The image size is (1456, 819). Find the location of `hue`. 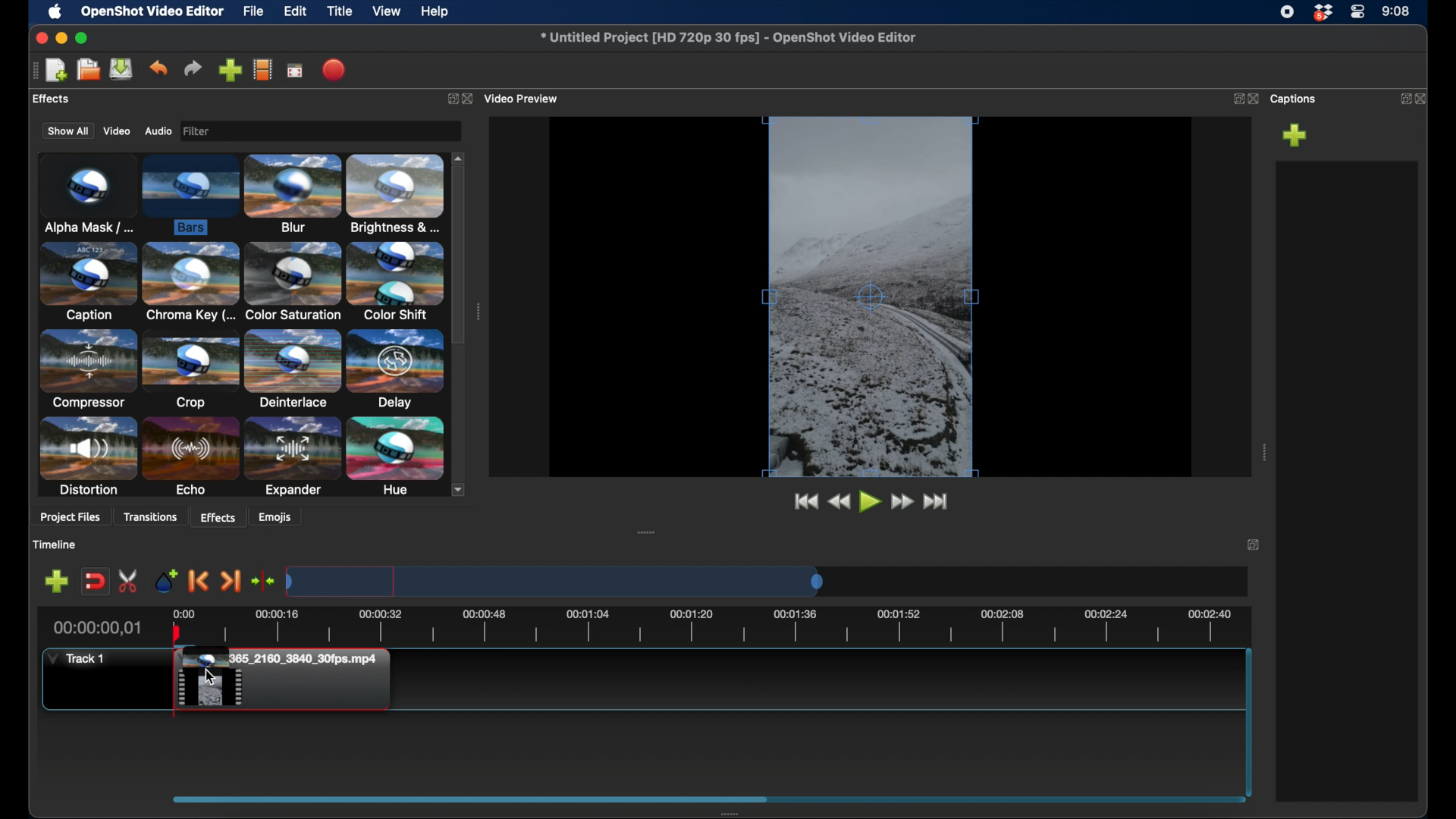

hue is located at coordinates (394, 457).